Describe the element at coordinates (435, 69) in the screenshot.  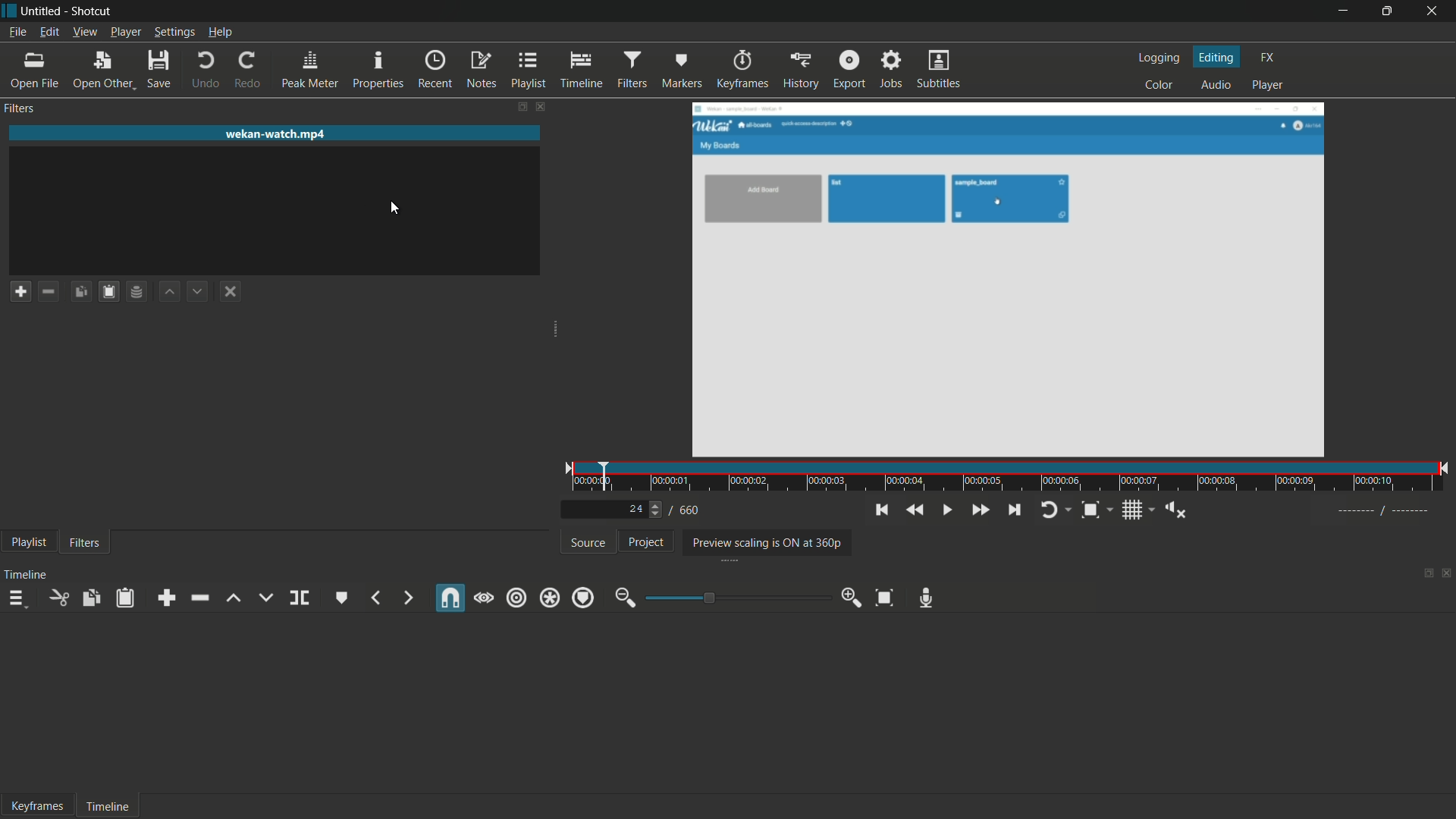
I see `recent` at that location.